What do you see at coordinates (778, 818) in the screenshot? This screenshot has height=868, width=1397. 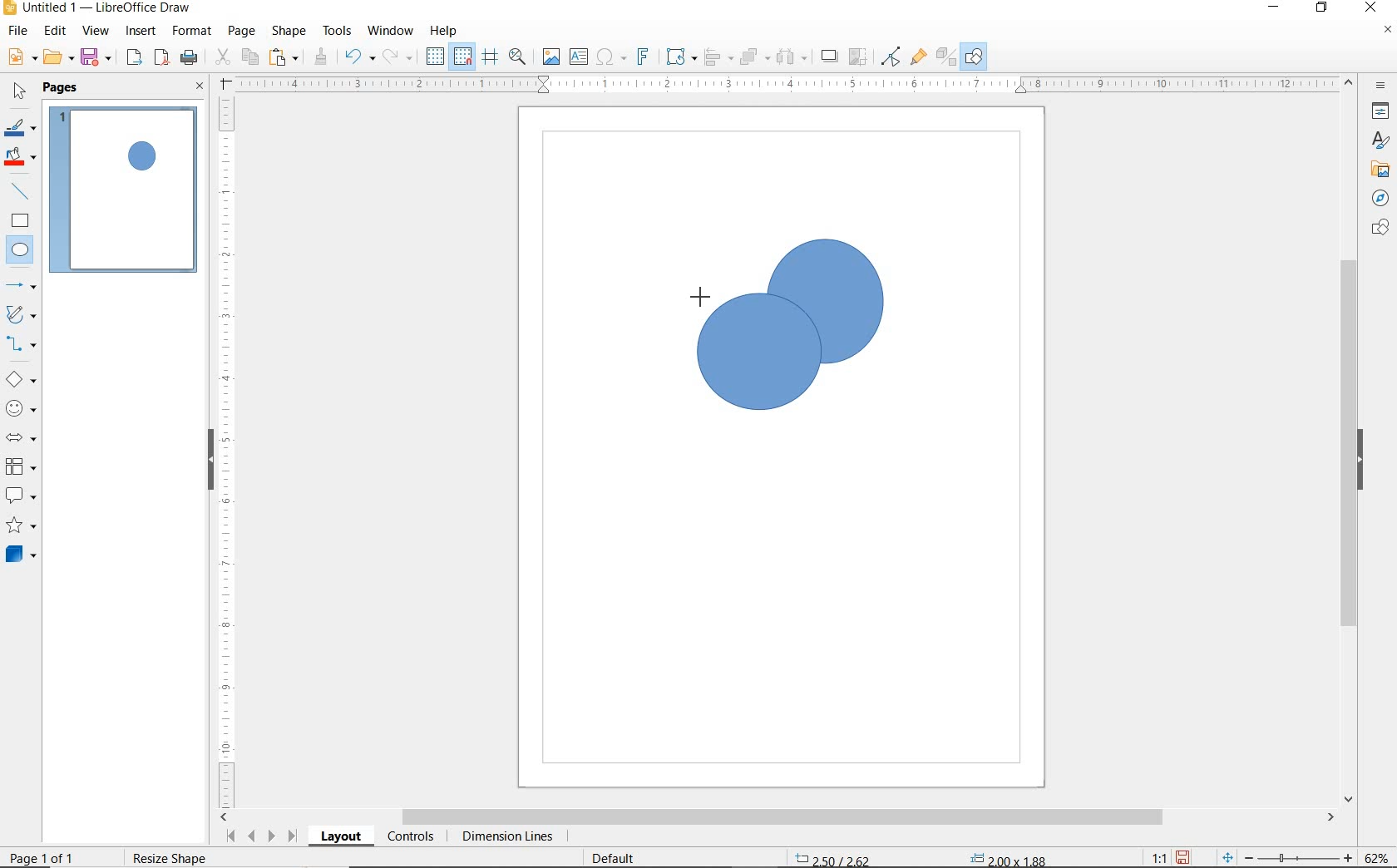 I see `SCROLLBAR` at bounding box center [778, 818].